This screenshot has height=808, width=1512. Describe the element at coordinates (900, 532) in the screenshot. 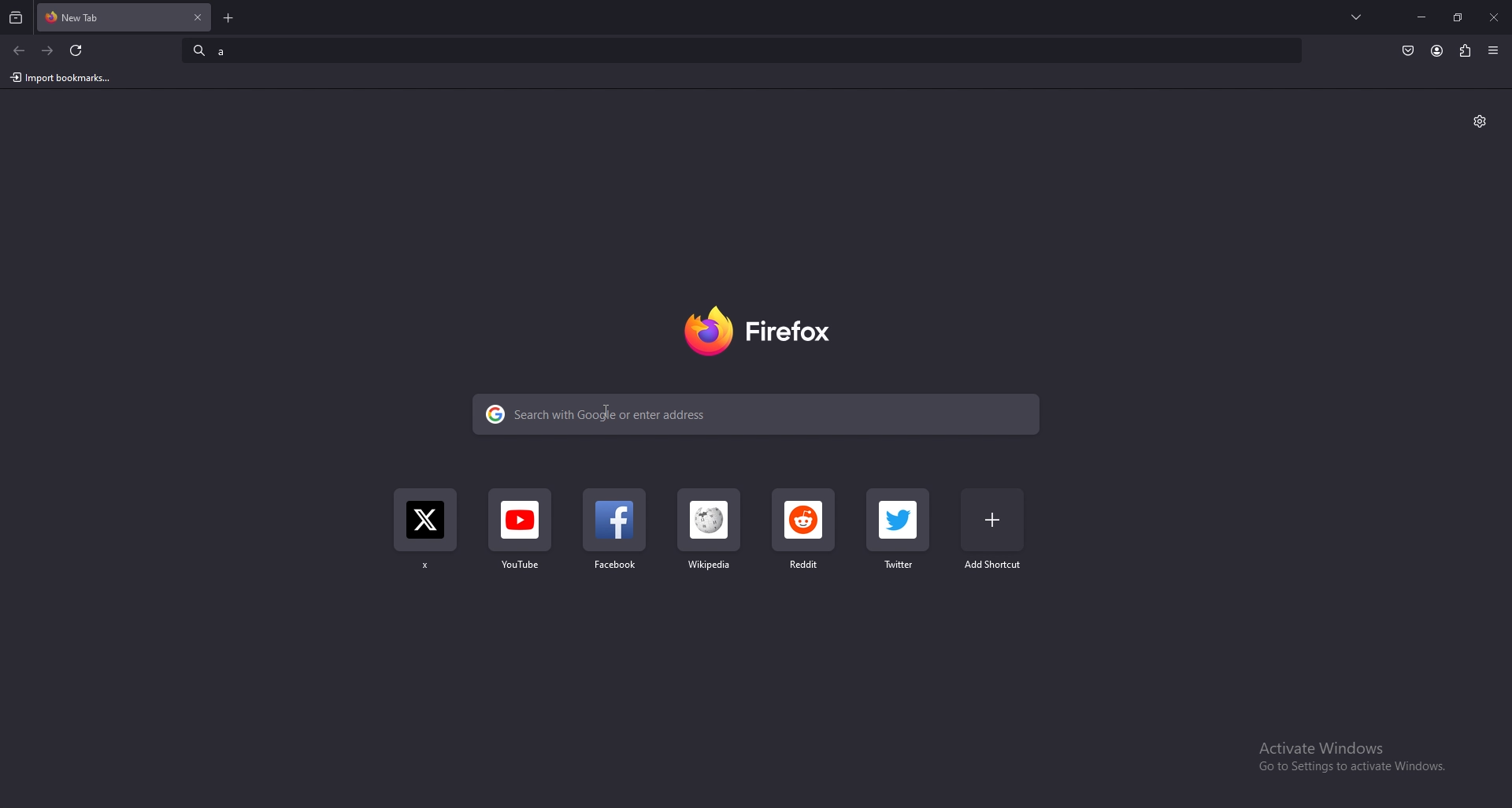

I see `twitter` at that location.